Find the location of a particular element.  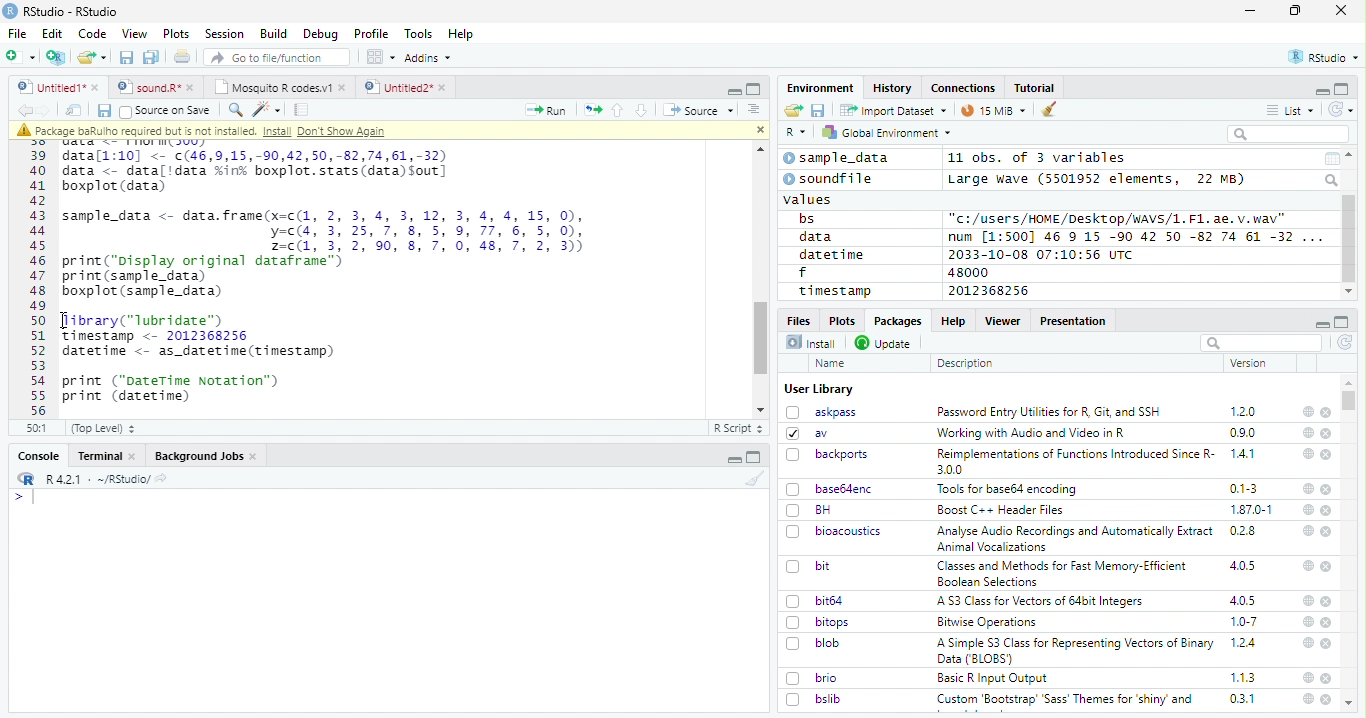

help is located at coordinates (1306, 530).